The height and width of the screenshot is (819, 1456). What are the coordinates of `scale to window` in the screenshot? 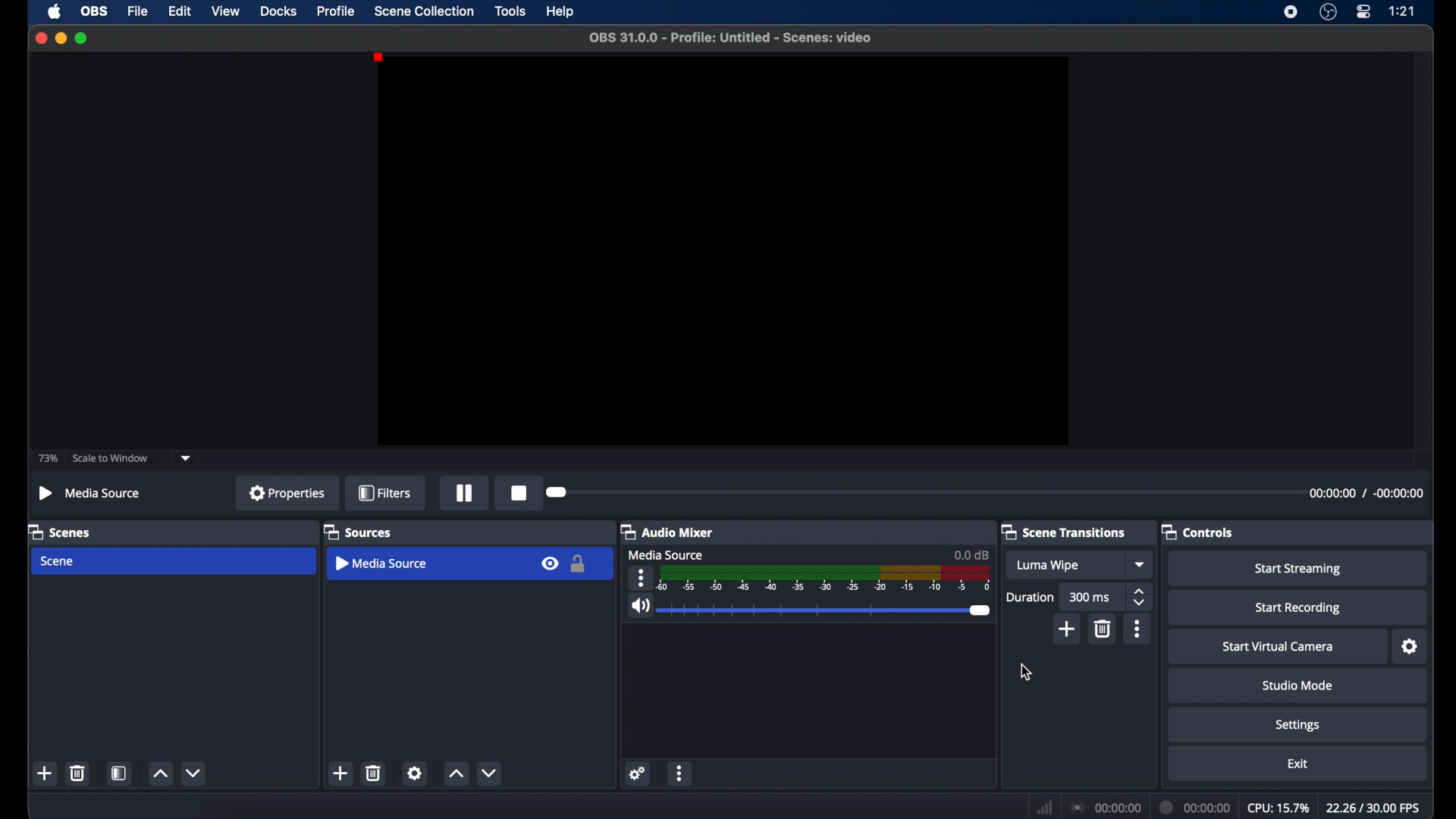 It's located at (110, 458).